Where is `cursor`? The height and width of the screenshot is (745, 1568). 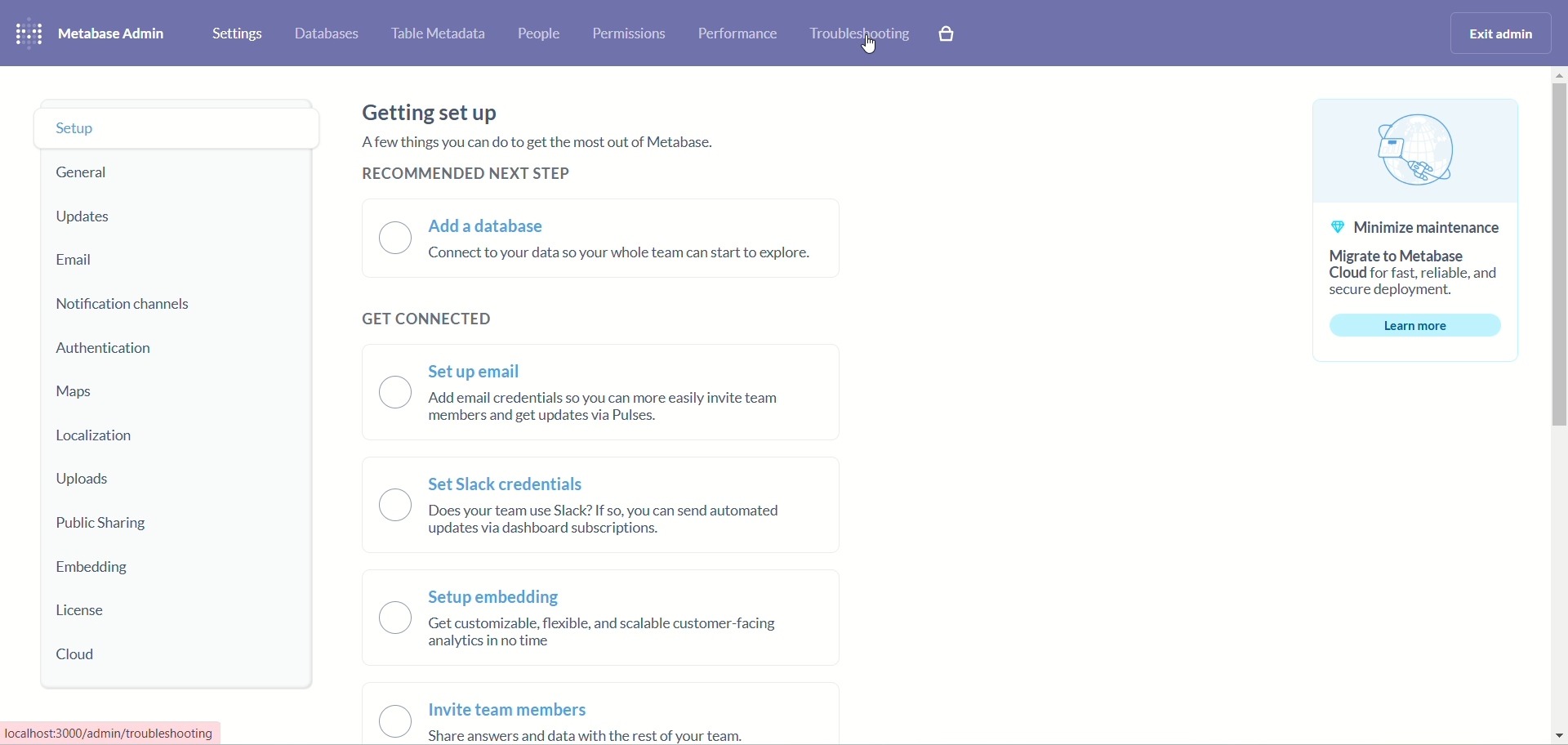 cursor is located at coordinates (868, 47).